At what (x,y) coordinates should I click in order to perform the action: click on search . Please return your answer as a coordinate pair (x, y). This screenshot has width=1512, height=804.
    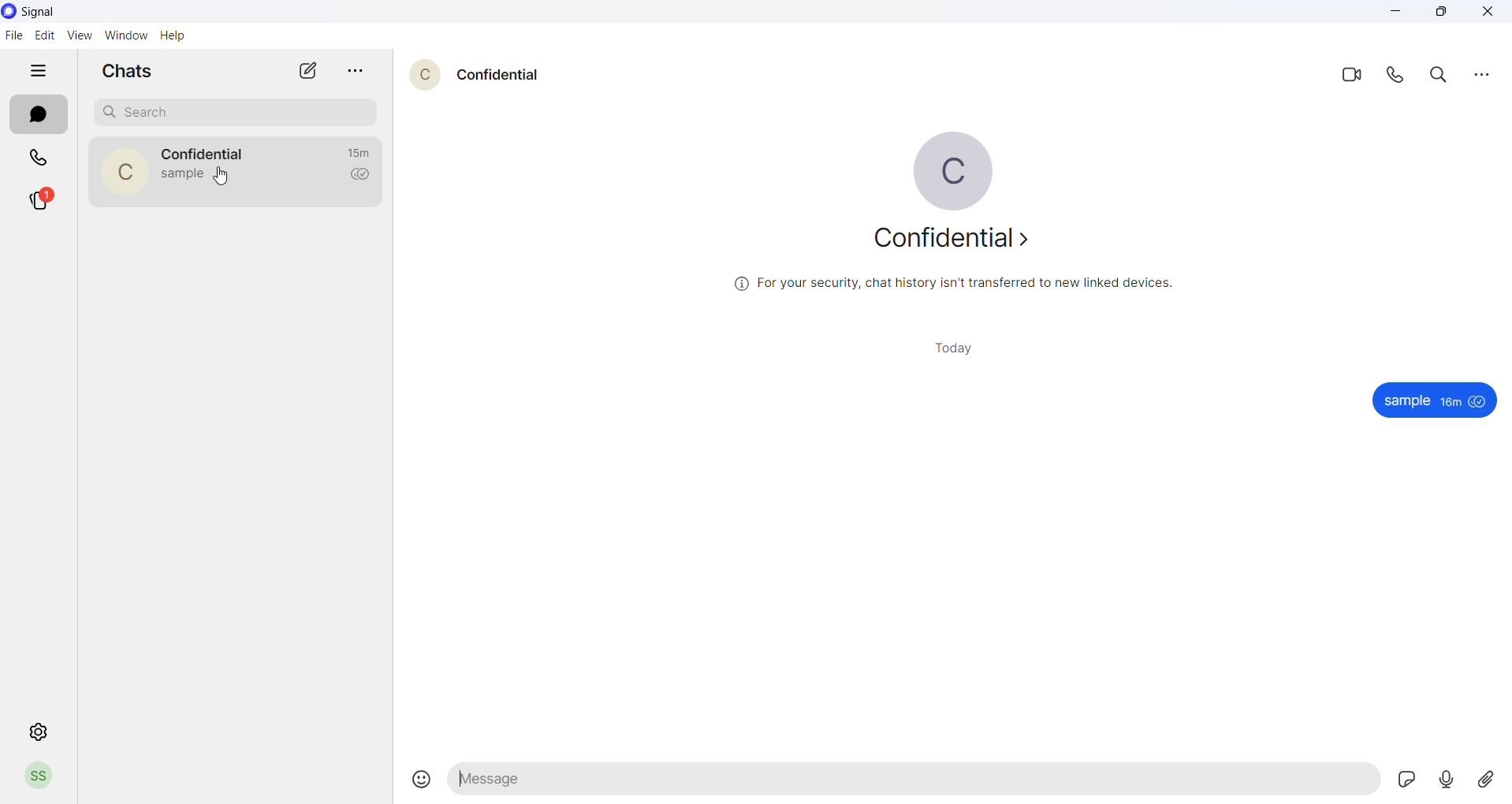
    Looking at the image, I should click on (229, 109).